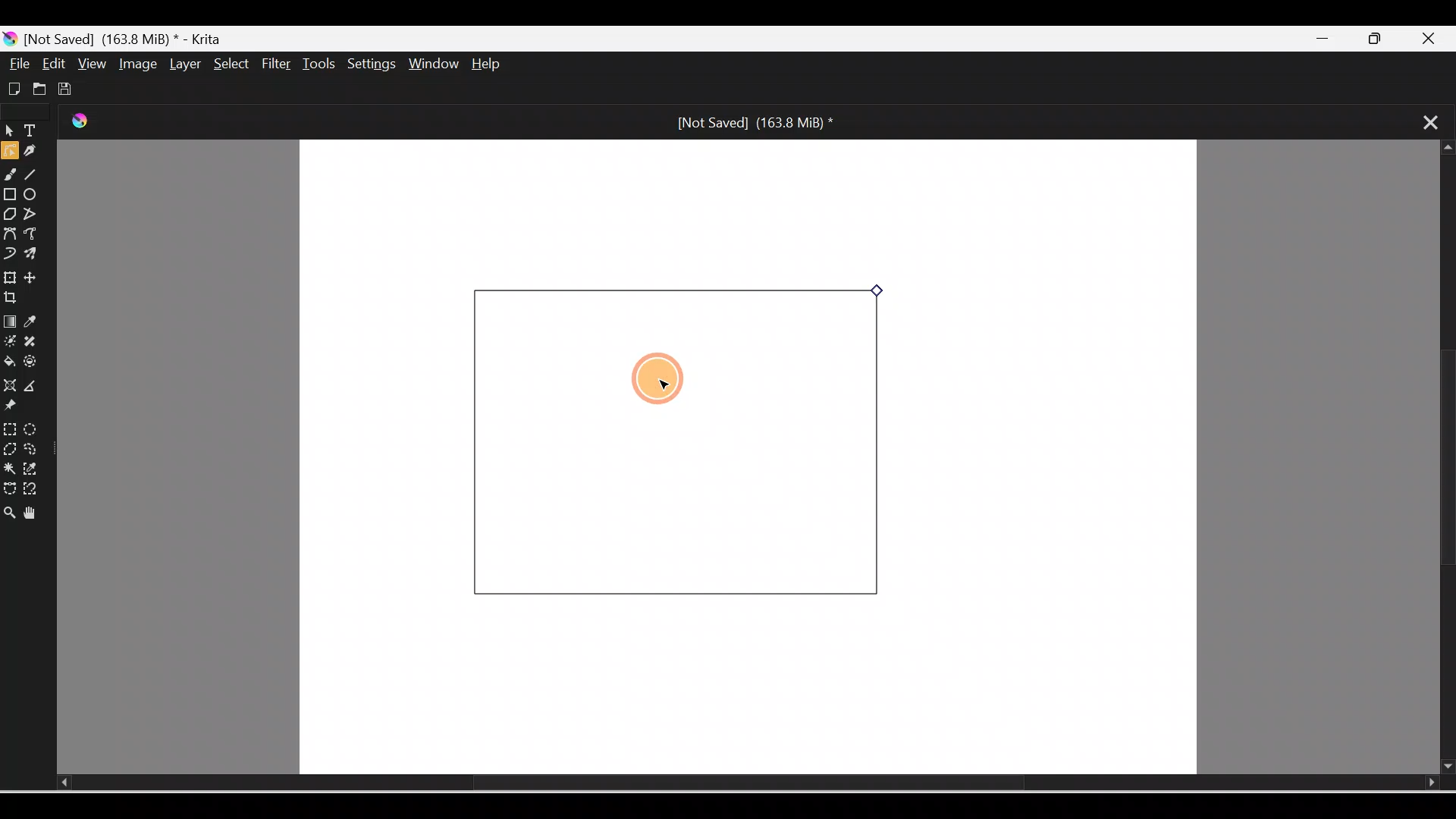 The width and height of the screenshot is (1456, 819). Describe the element at coordinates (33, 132) in the screenshot. I see `Text tool` at that location.